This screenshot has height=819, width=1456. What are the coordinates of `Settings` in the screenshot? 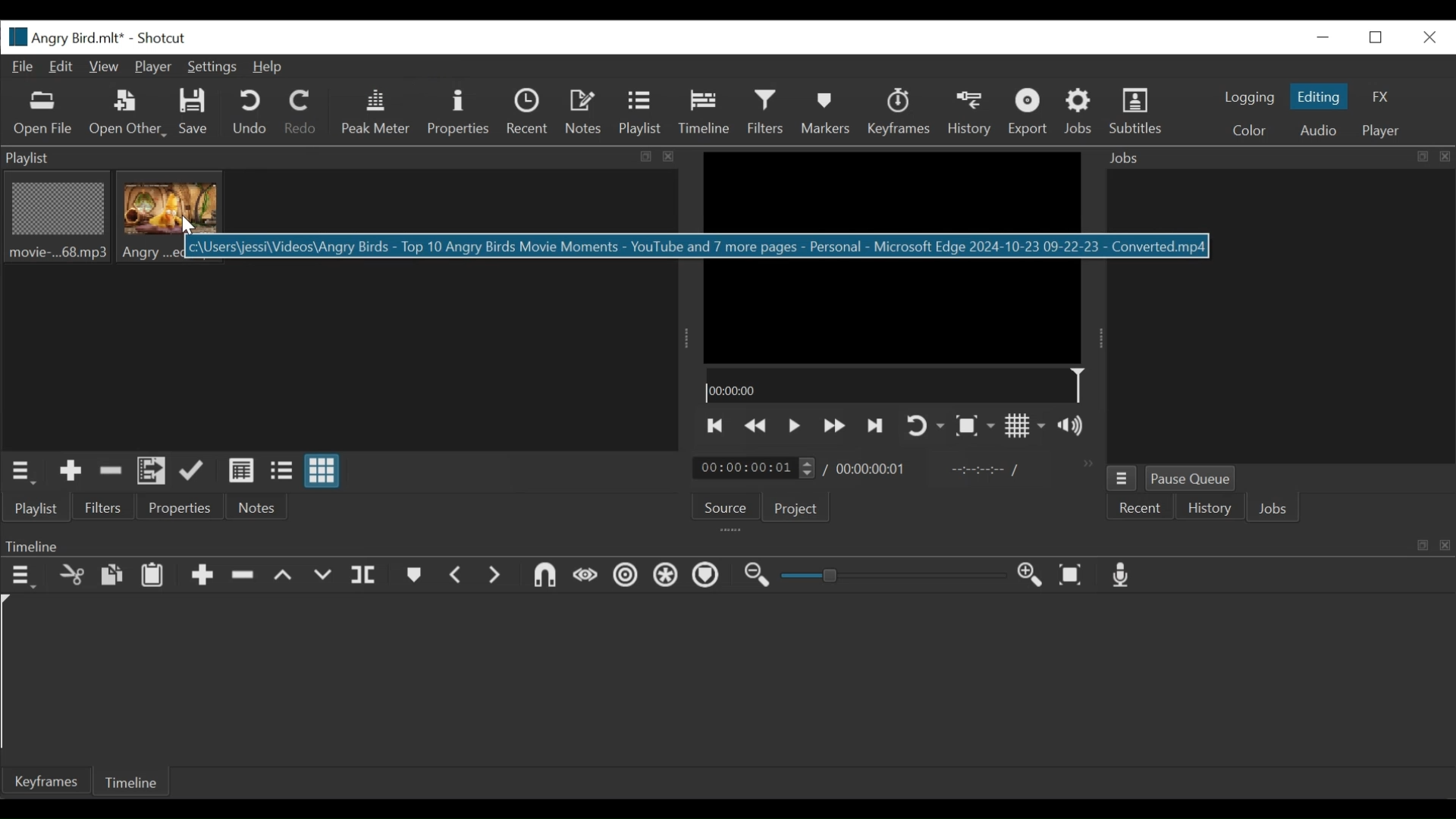 It's located at (212, 67).